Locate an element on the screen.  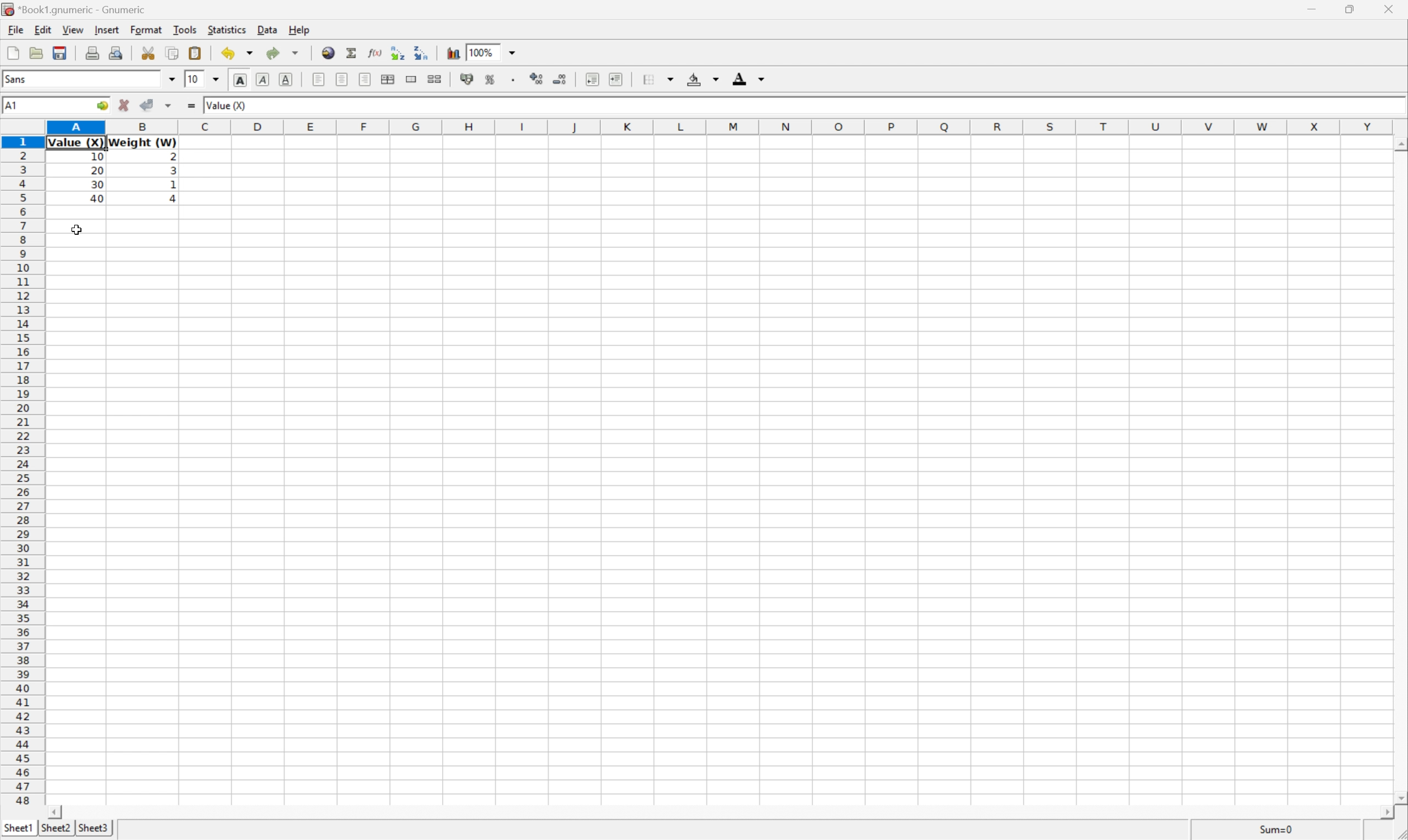
Data is located at coordinates (267, 30).